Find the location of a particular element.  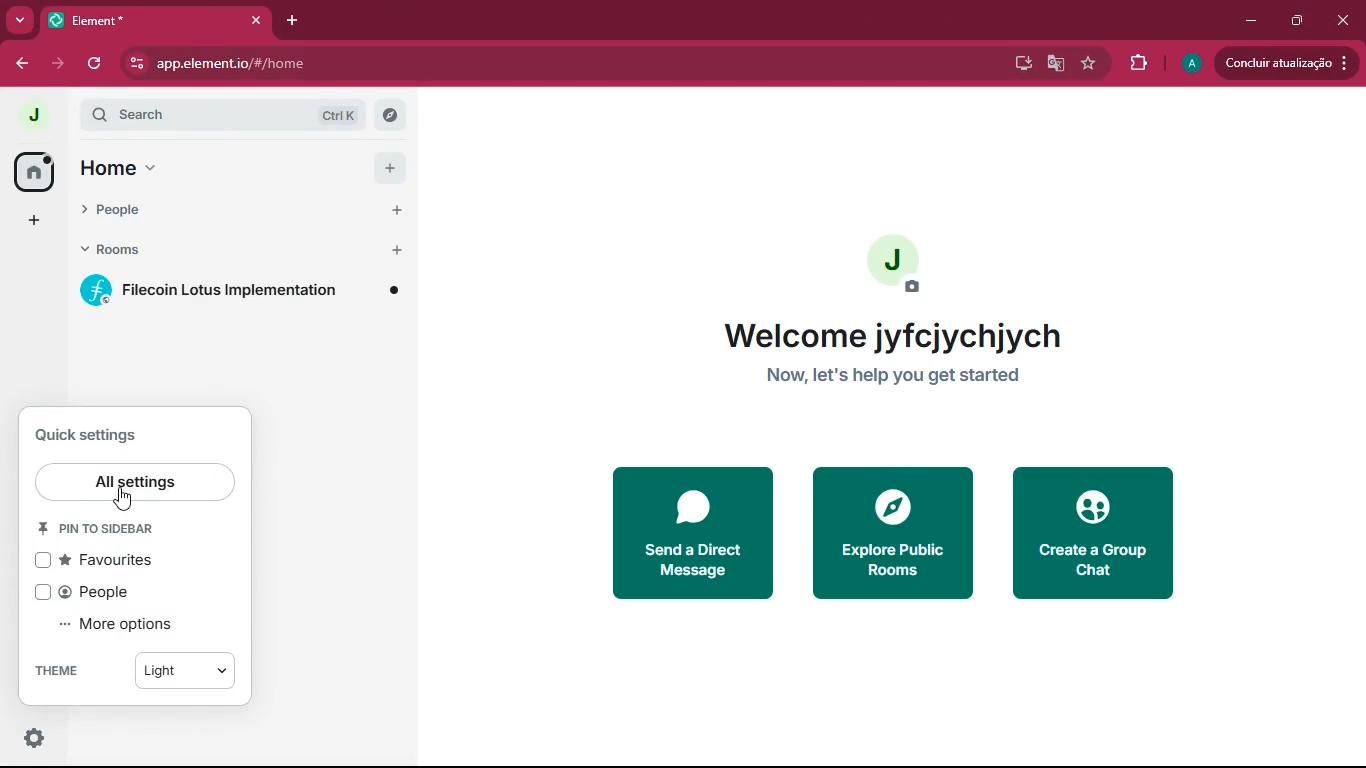

Cursor is located at coordinates (124, 499).